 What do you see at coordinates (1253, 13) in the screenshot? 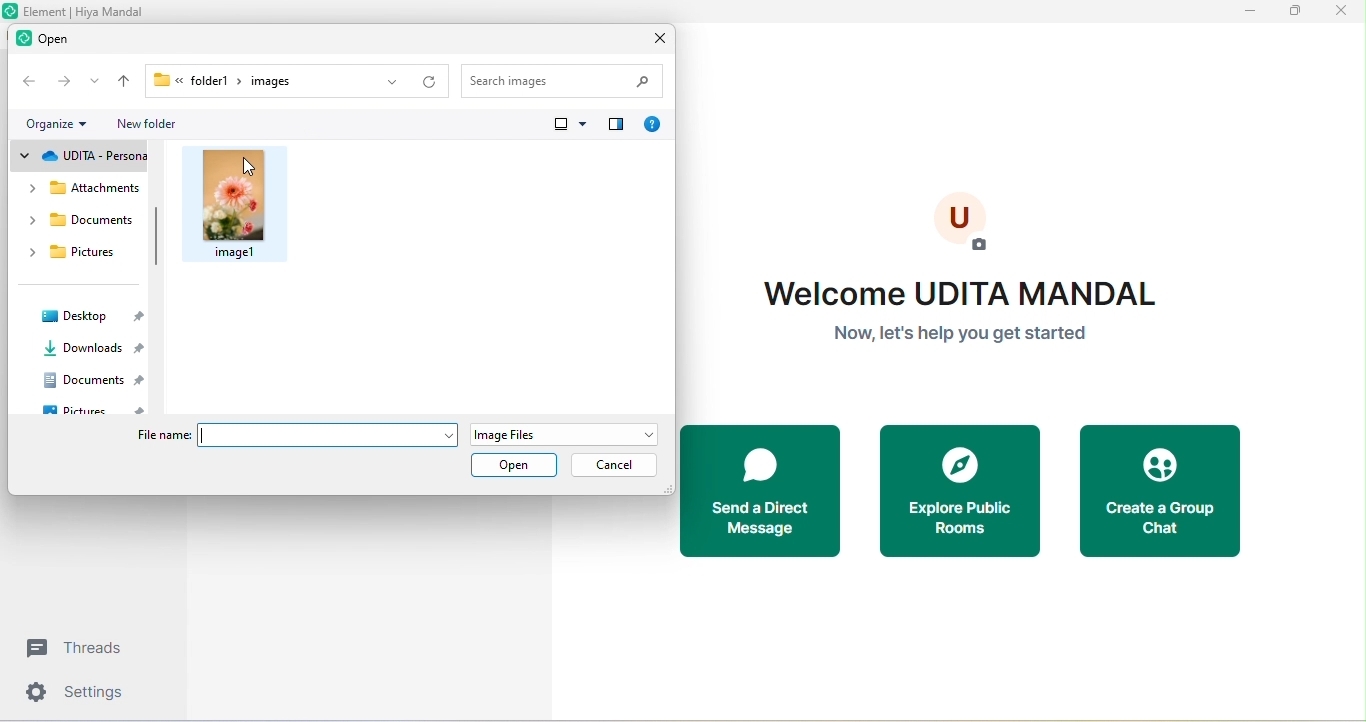
I see `minimize` at bounding box center [1253, 13].